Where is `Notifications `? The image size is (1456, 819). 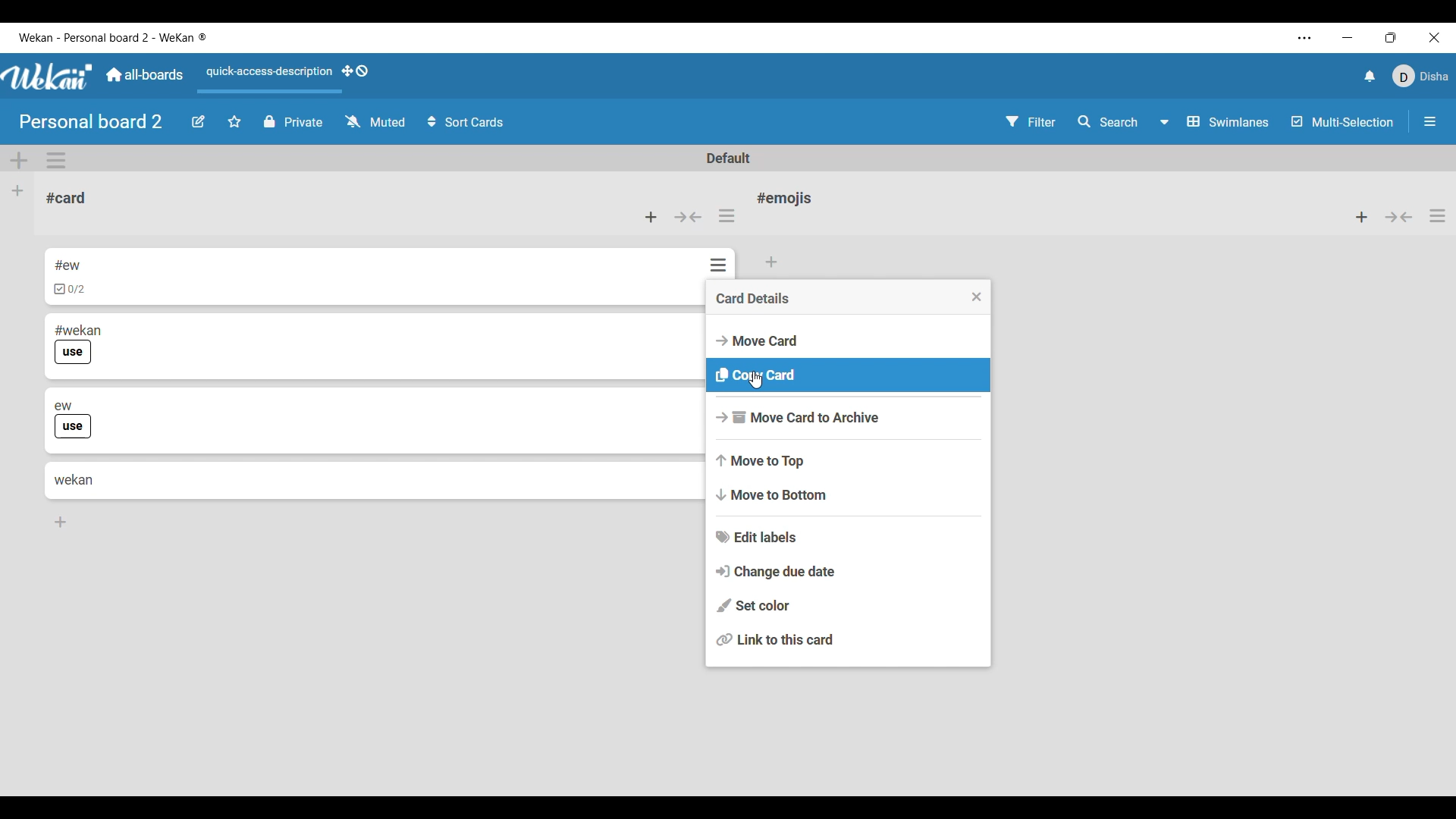 Notifications  is located at coordinates (1370, 76).